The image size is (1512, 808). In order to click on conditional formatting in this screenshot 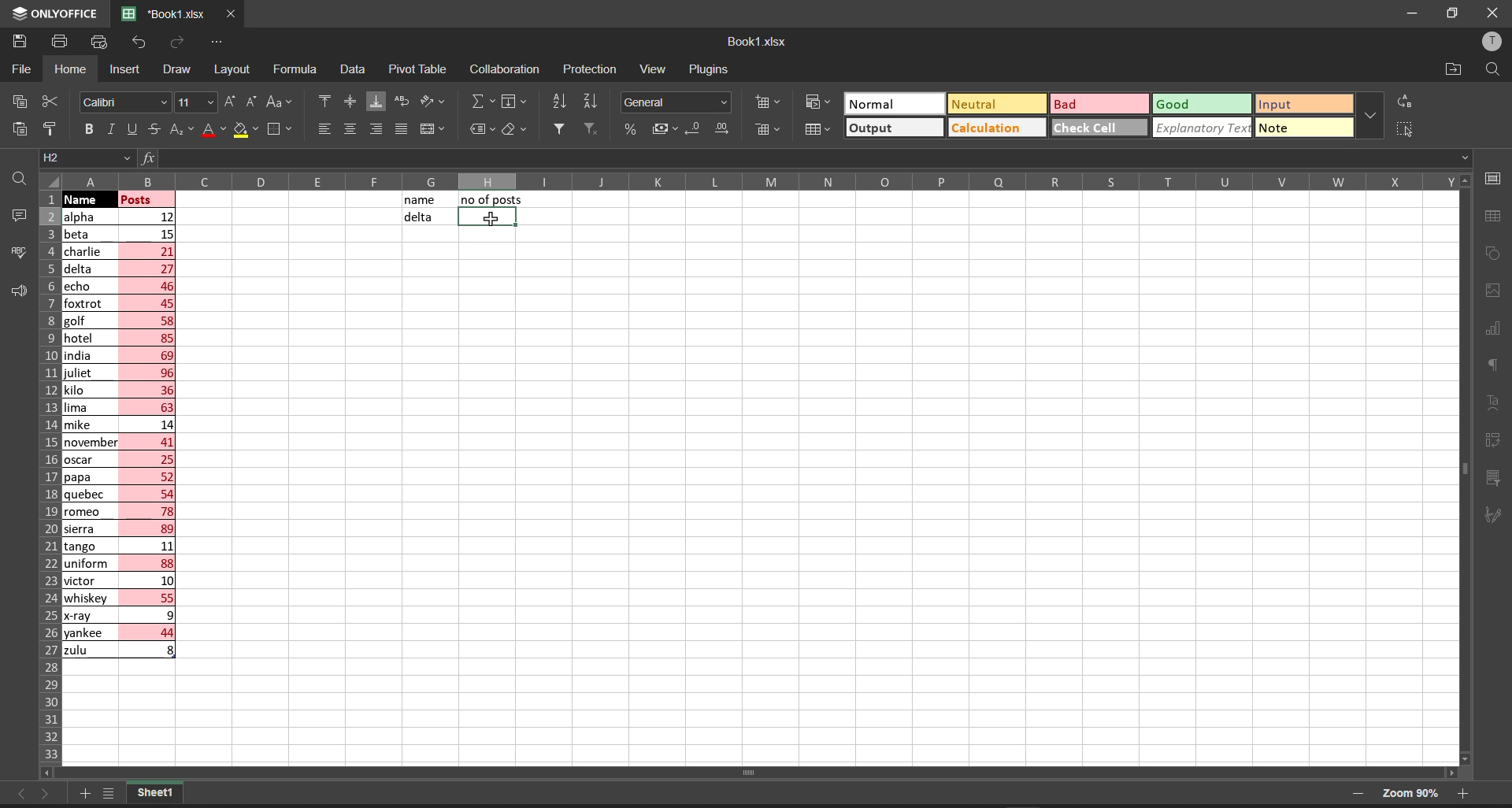, I will do `click(817, 101)`.